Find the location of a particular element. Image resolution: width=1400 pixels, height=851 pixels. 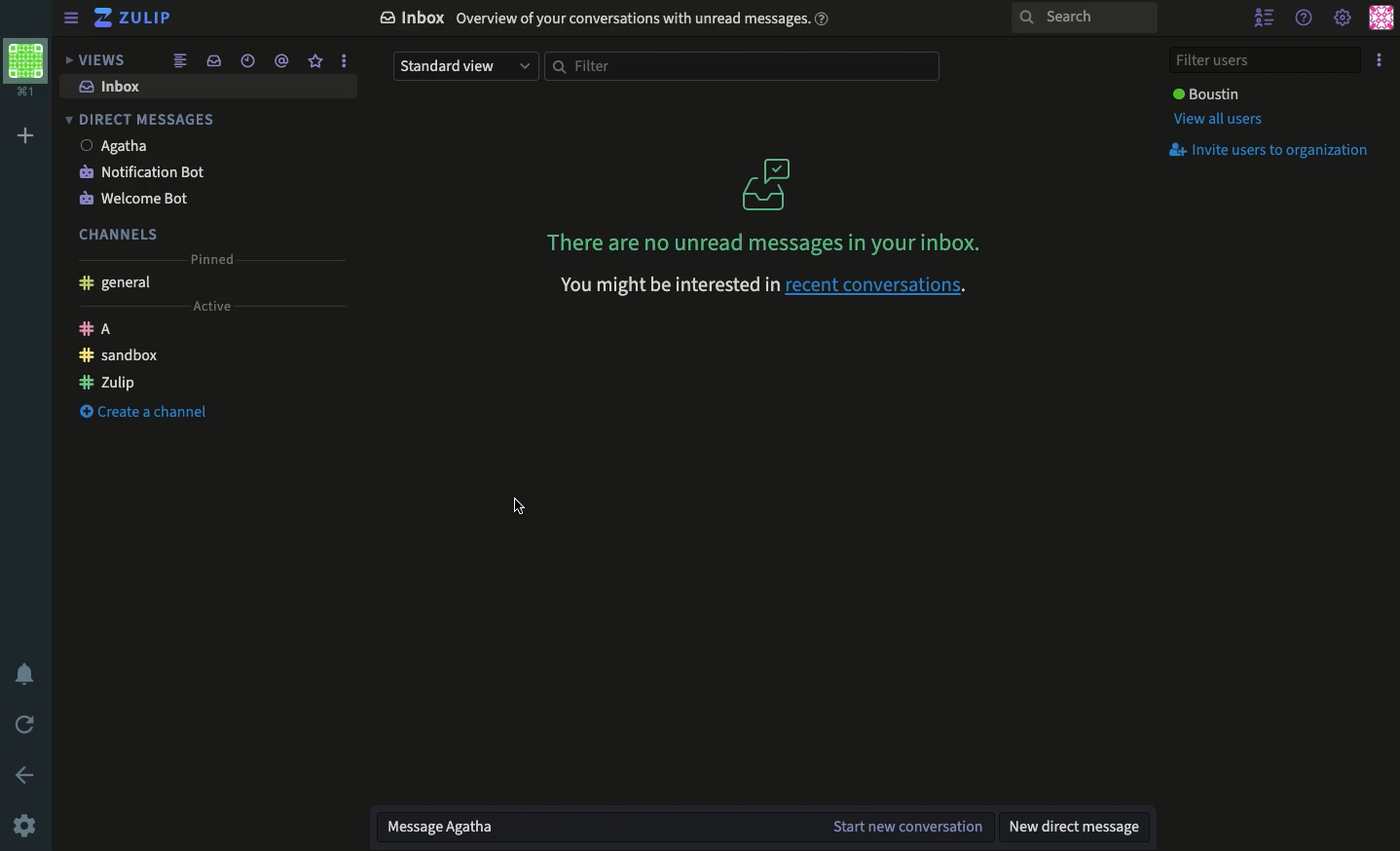

Active is located at coordinates (213, 307).